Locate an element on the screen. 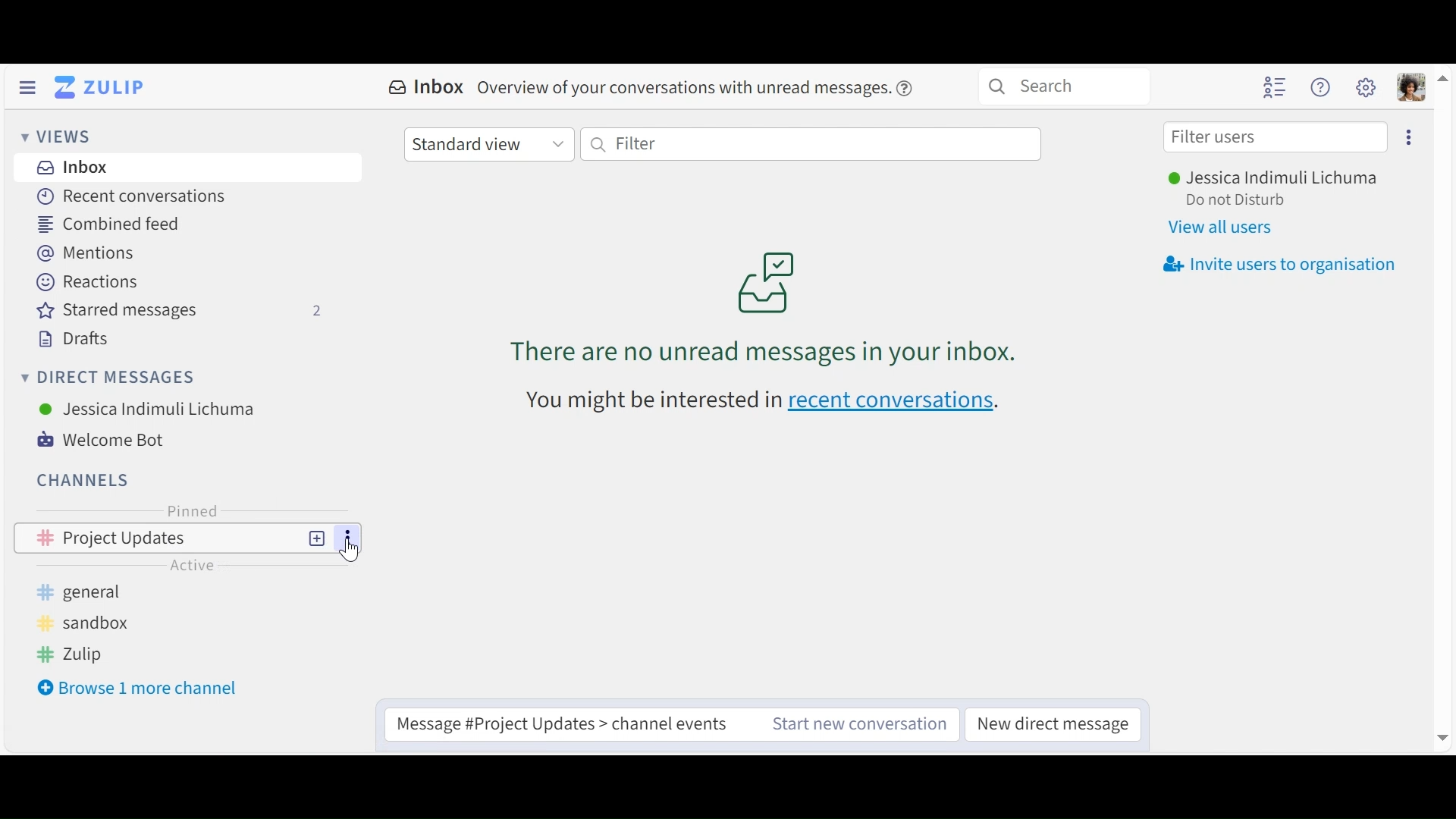  Filter is located at coordinates (811, 143).